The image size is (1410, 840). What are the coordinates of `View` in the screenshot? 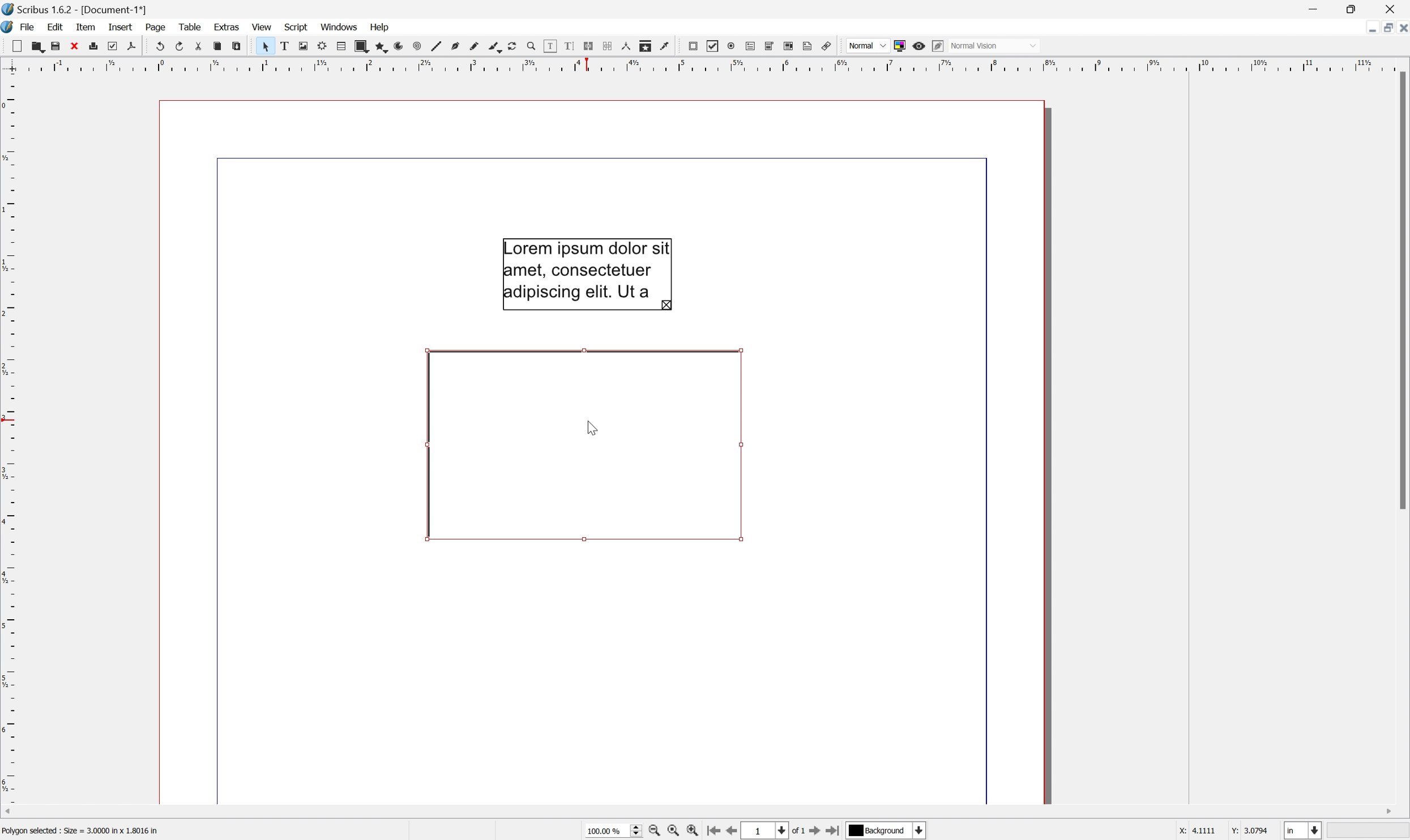 It's located at (263, 27).